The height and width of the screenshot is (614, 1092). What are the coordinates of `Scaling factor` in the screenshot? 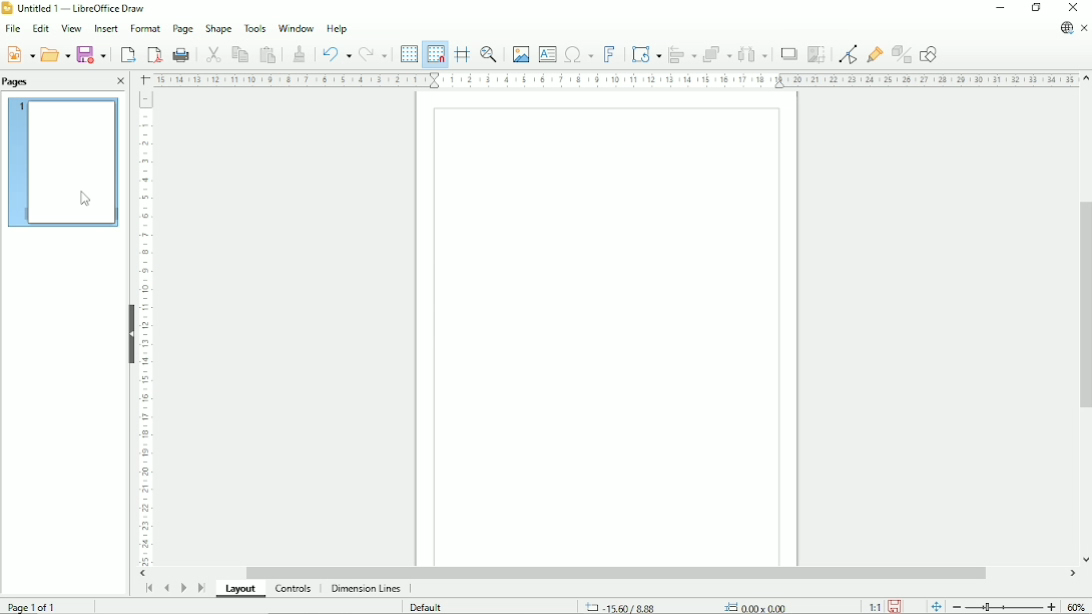 It's located at (874, 606).